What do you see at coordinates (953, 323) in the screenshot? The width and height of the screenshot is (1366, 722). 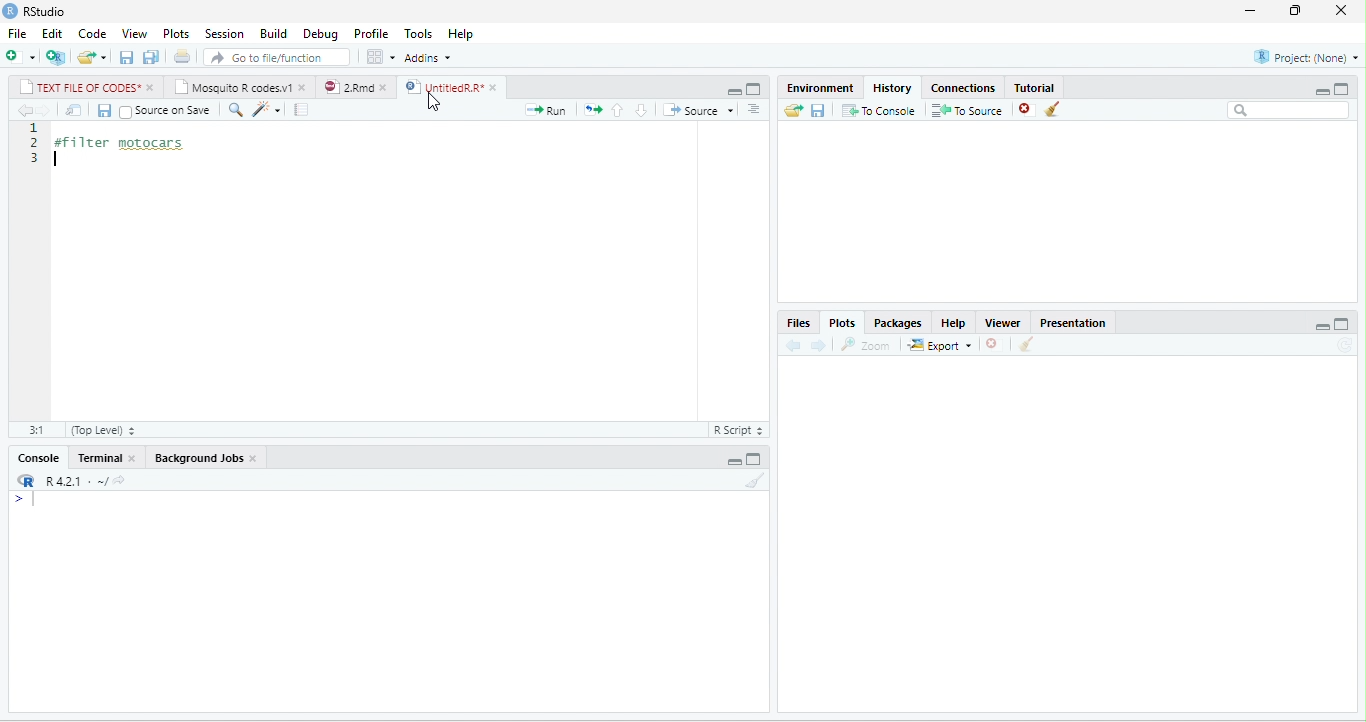 I see `Help` at bounding box center [953, 323].